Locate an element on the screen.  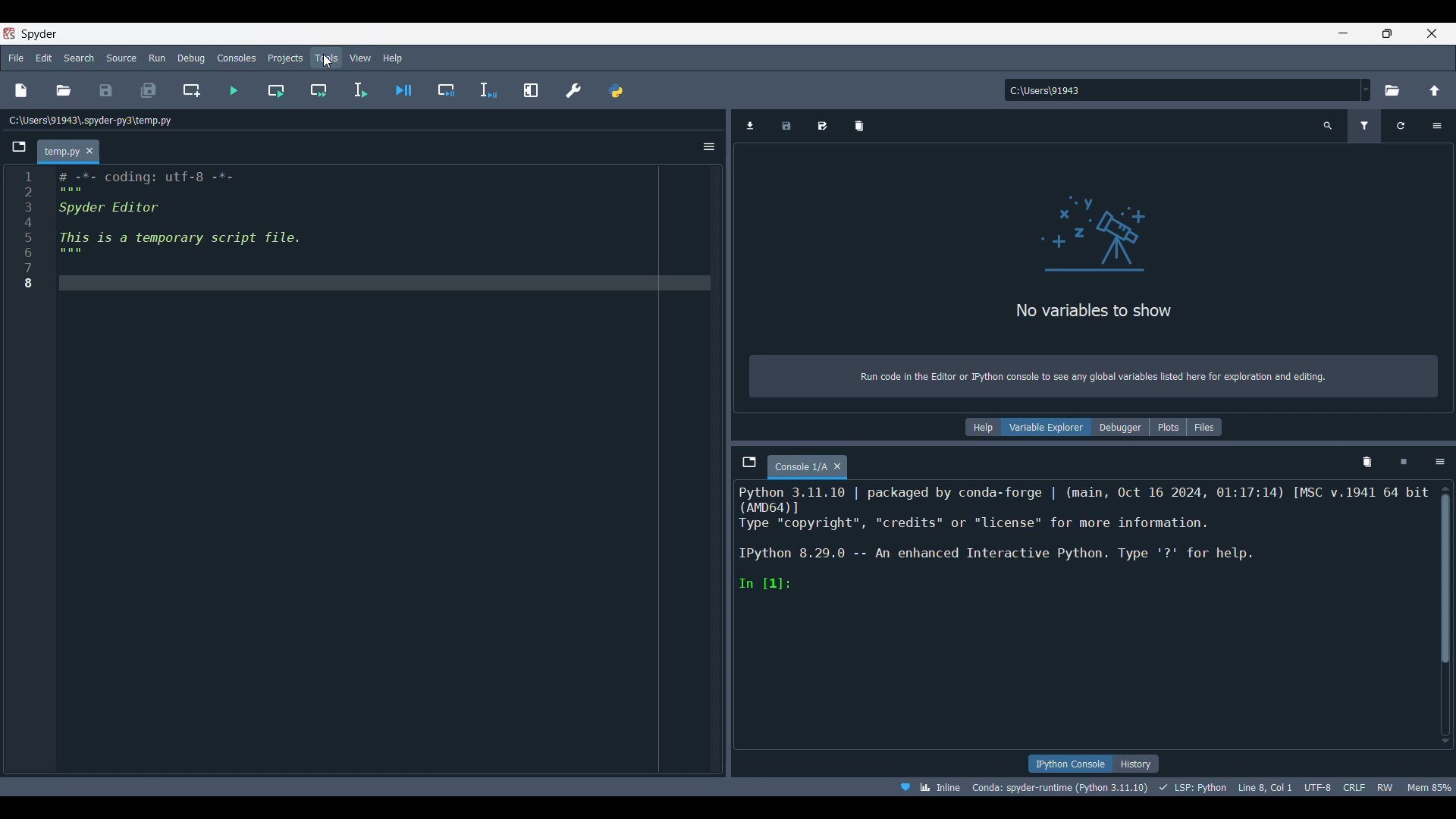
Interrupt kernel is located at coordinates (1403, 462).